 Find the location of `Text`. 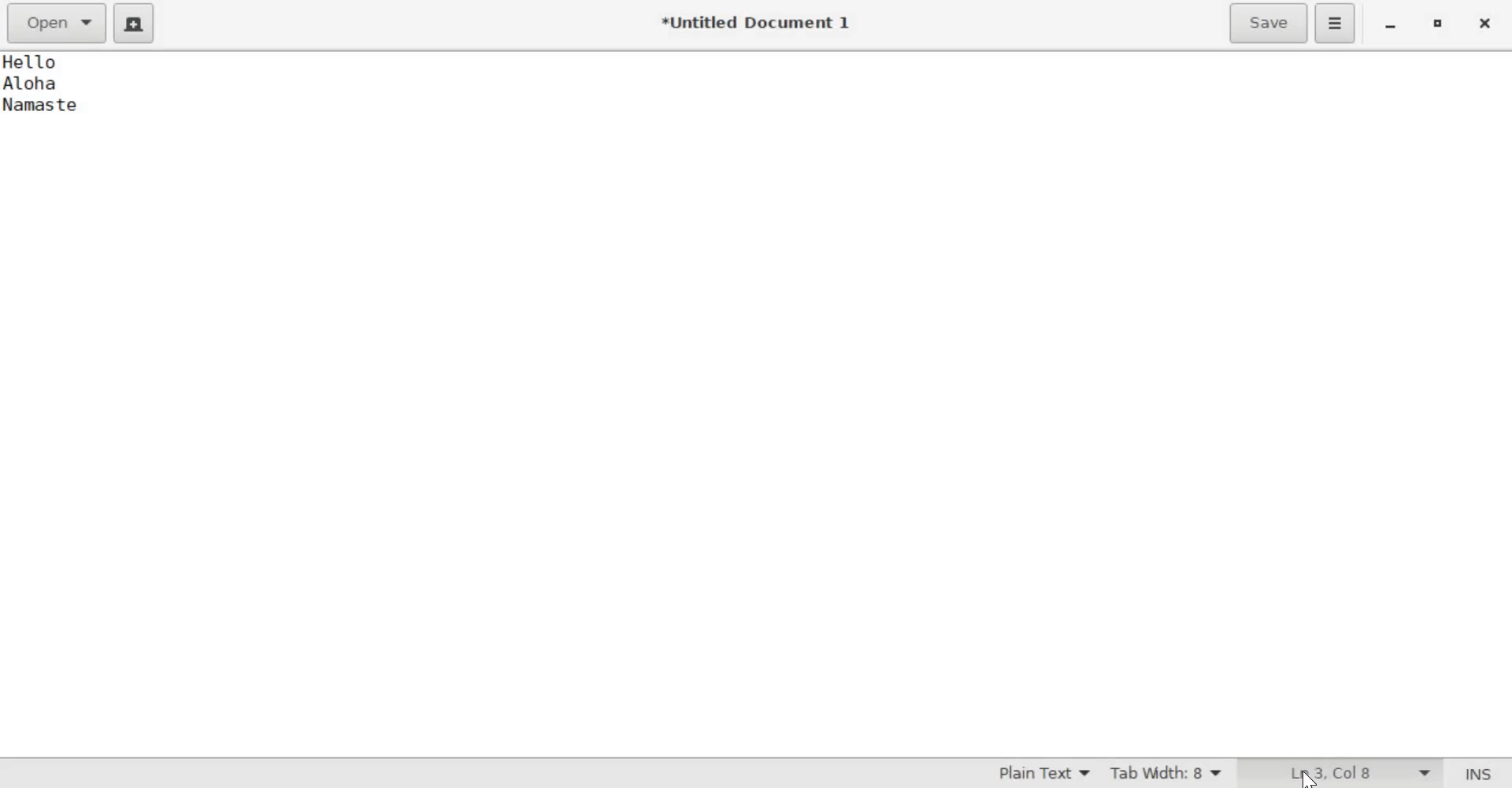

Text is located at coordinates (77, 103).